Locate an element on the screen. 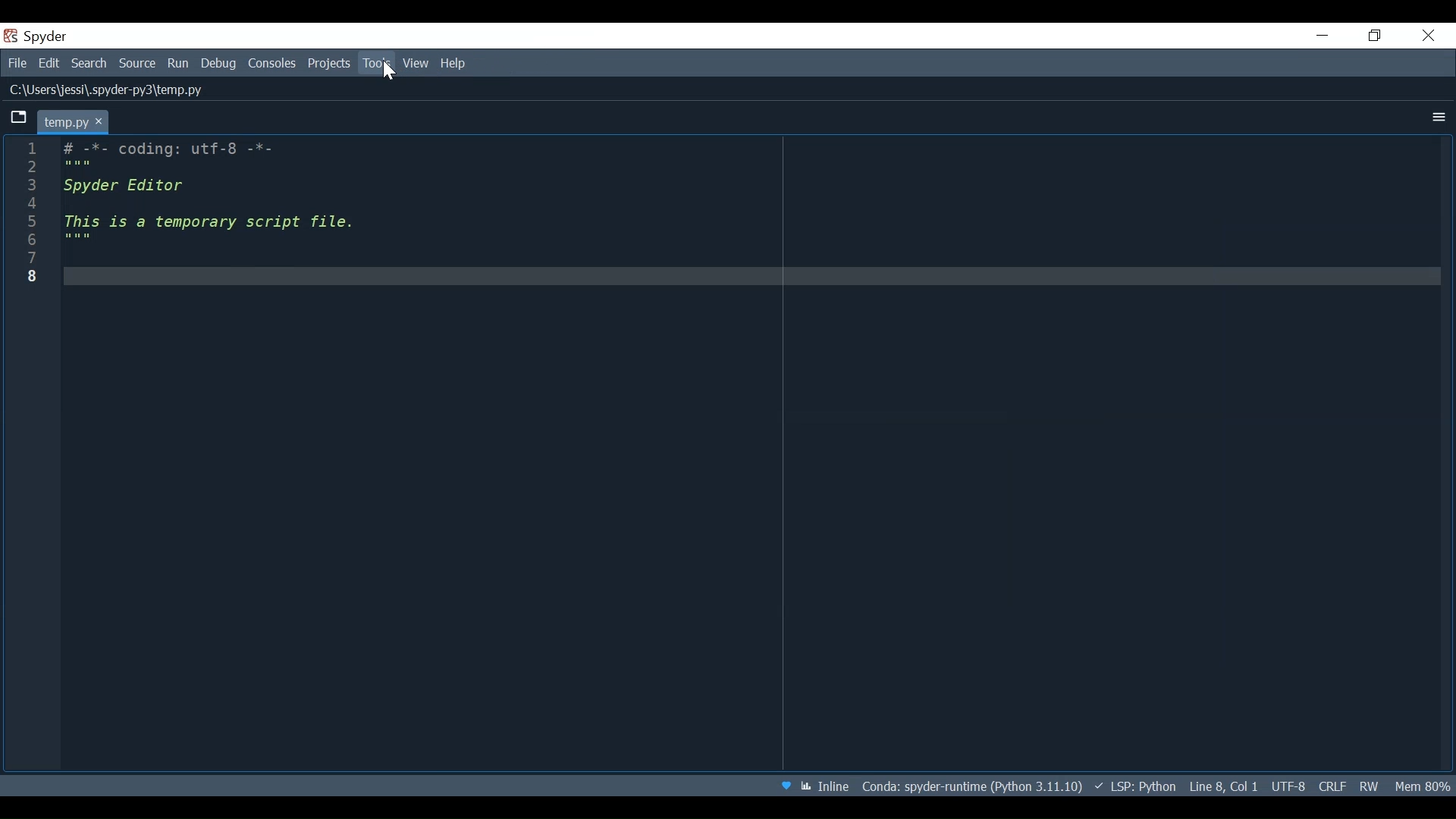 The height and width of the screenshot is (819, 1456). Search is located at coordinates (87, 64).